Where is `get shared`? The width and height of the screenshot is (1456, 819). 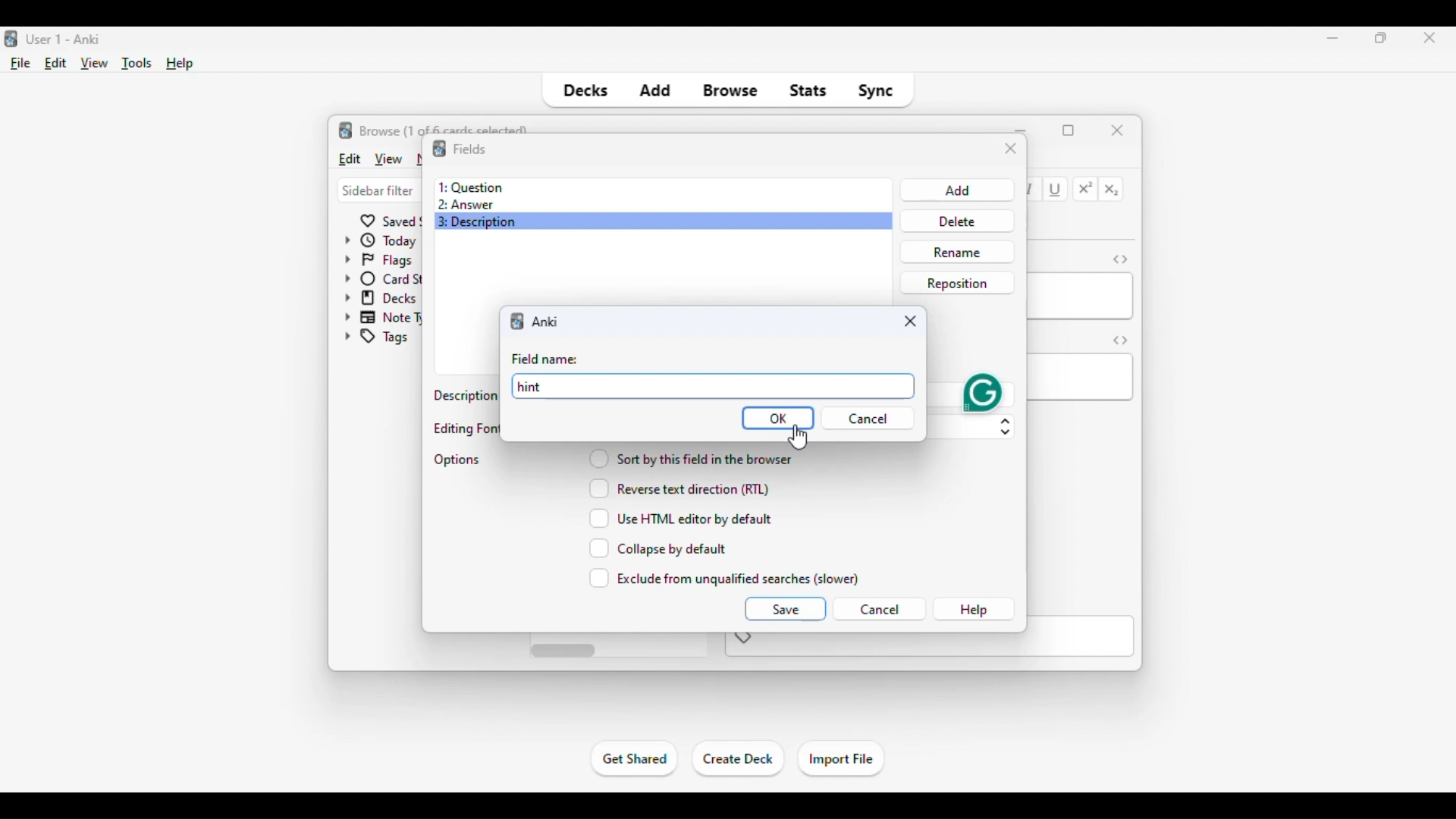 get shared is located at coordinates (635, 758).